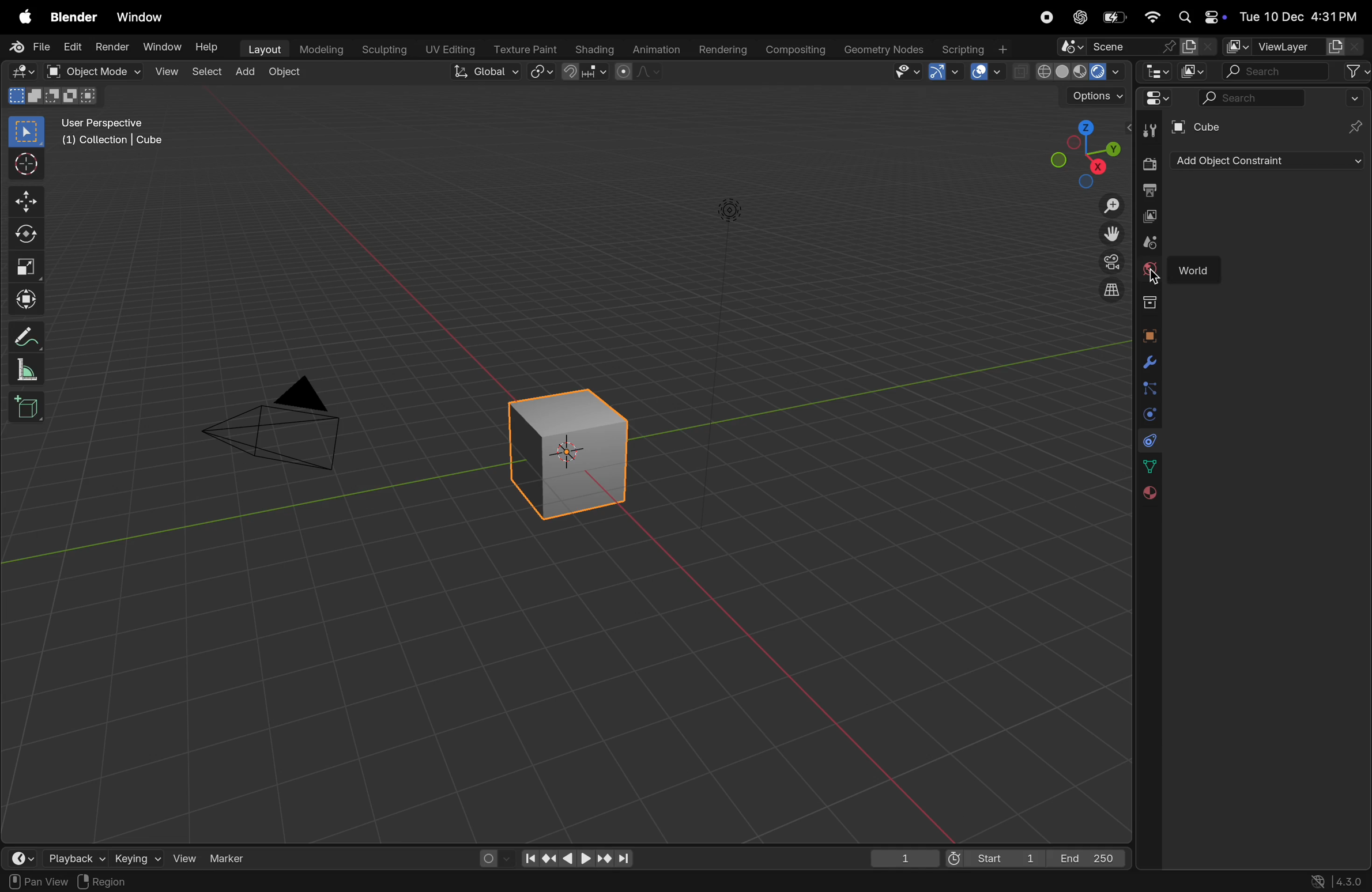 The width and height of the screenshot is (1372, 892). I want to click on World, so click(1149, 271).